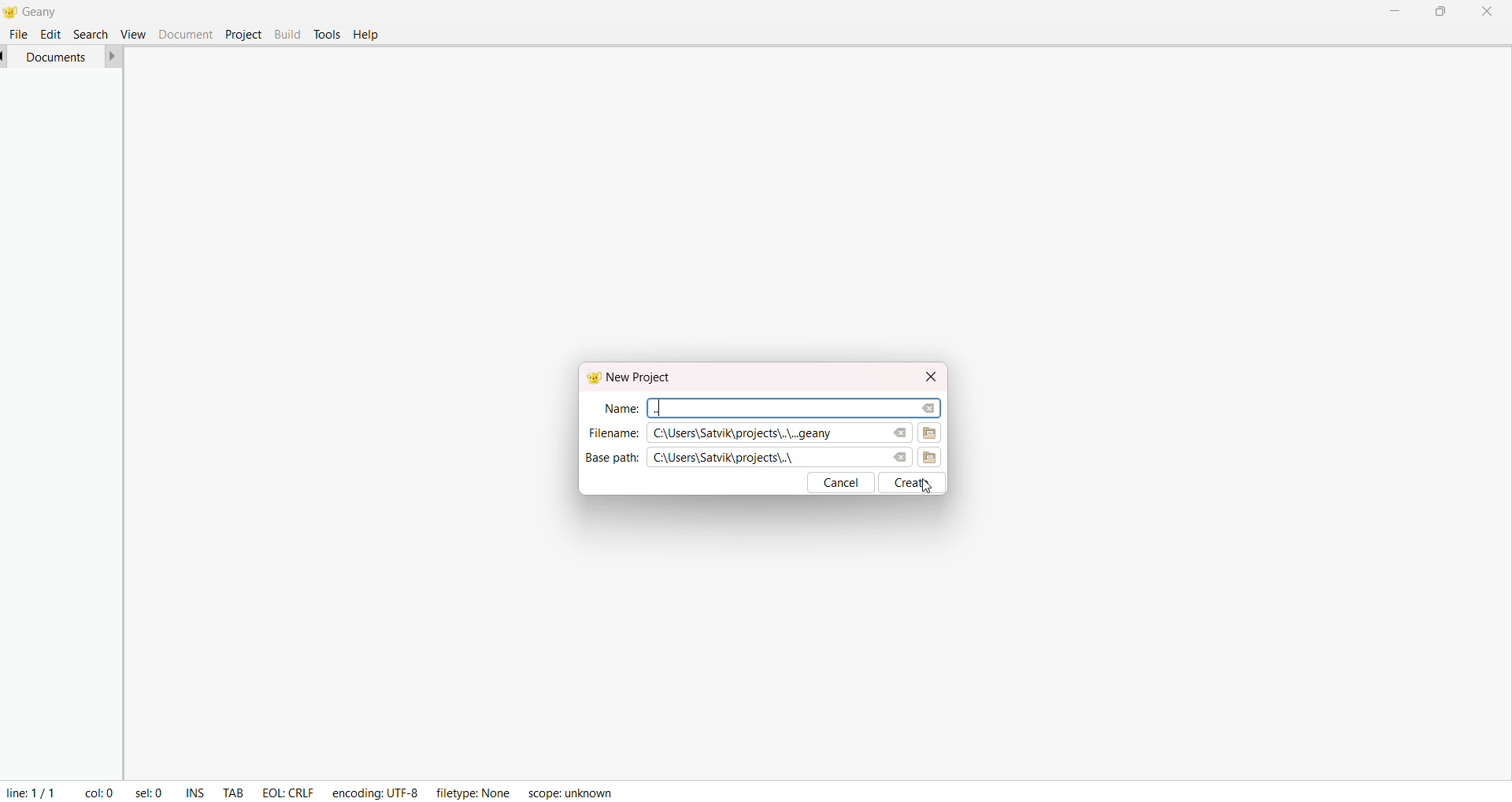 The width and height of the screenshot is (1512, 802). Describe the element at coordinates (896, 432) in the screenshot. I see `clear filename` at that location.